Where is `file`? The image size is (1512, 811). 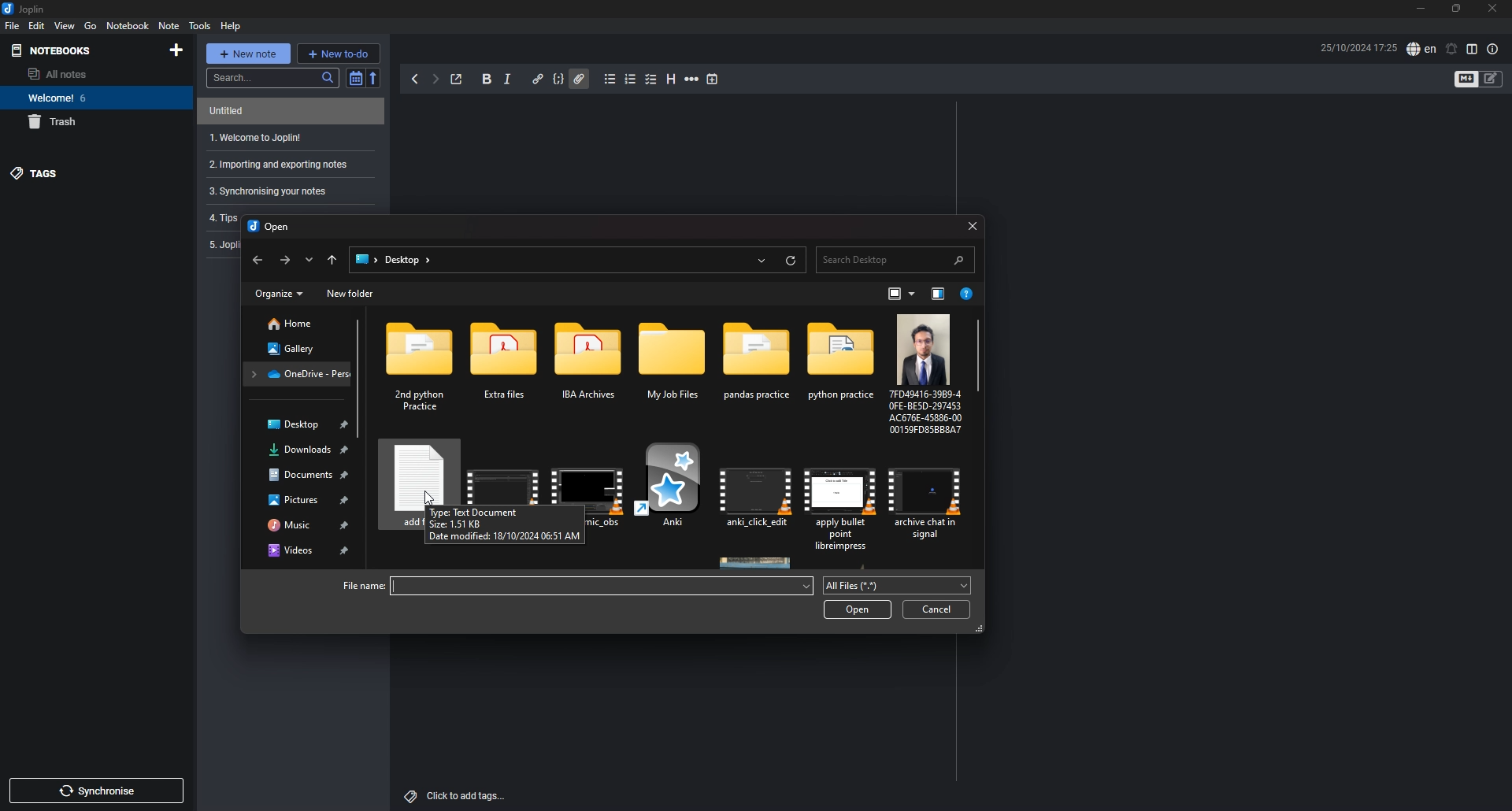 file is located at coordinates (675, 491).